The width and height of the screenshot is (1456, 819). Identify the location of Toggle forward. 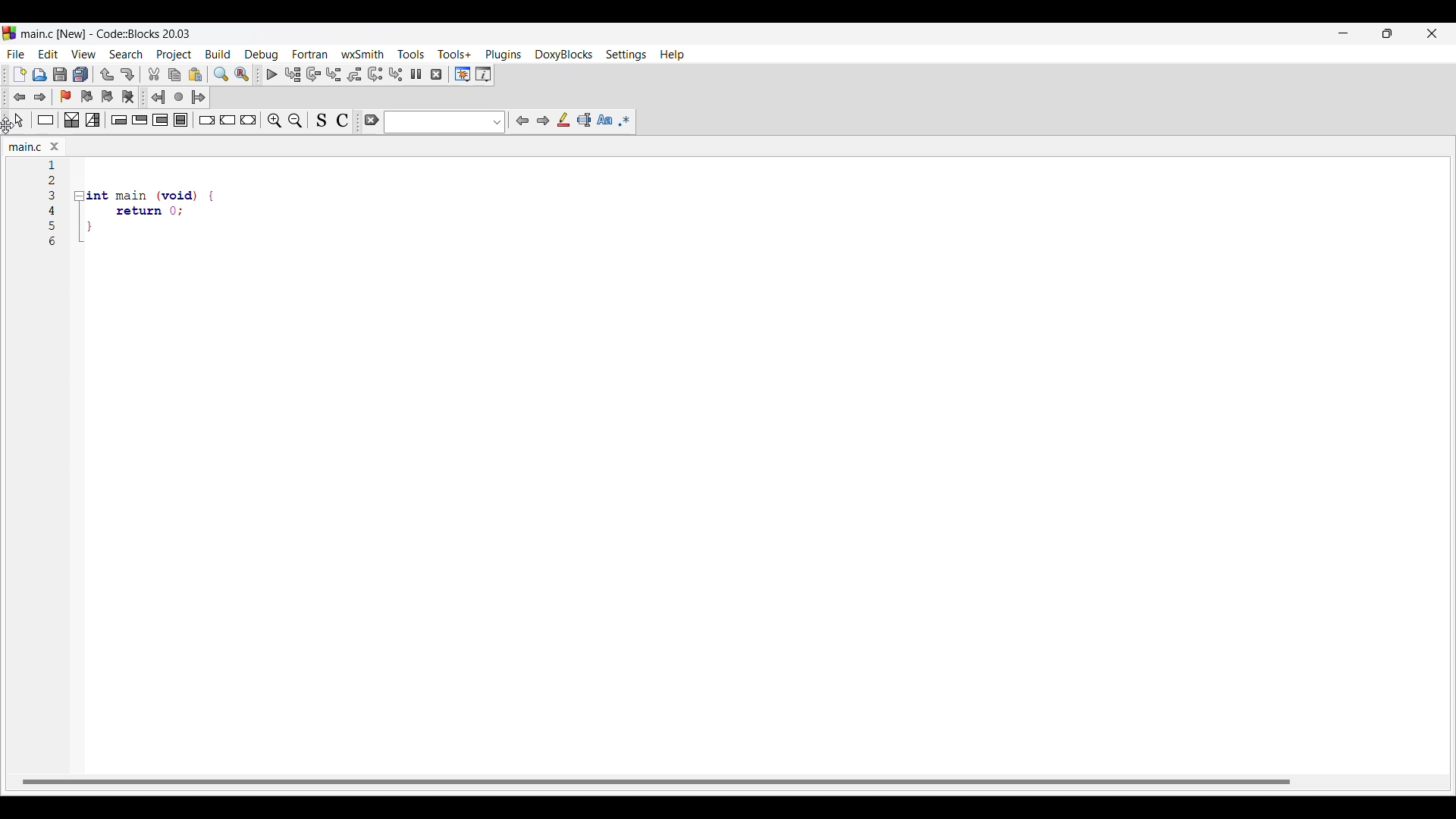
(40, 97).